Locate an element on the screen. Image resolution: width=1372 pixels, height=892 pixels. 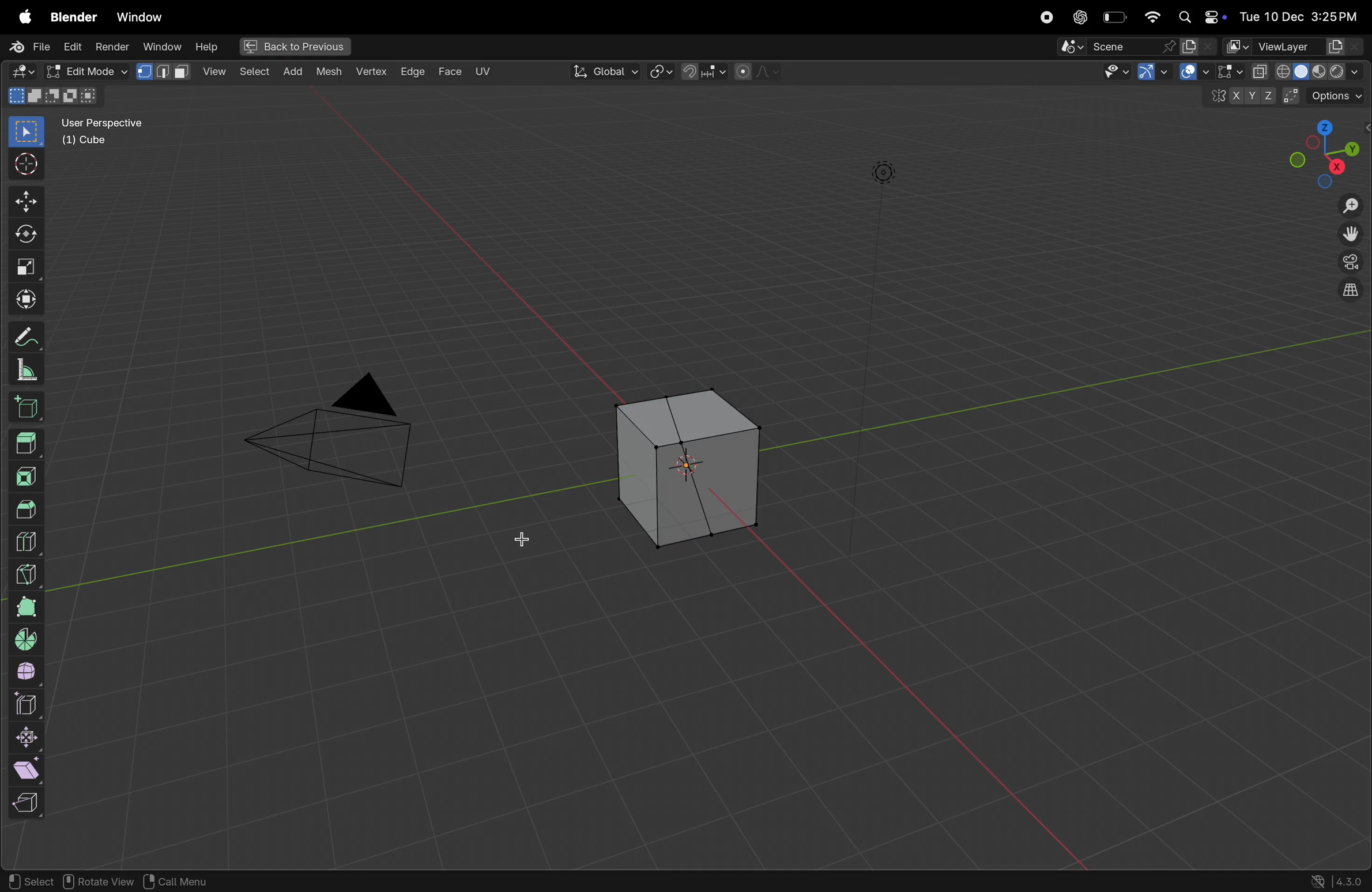
annotate is located at coordinates (25, 339).